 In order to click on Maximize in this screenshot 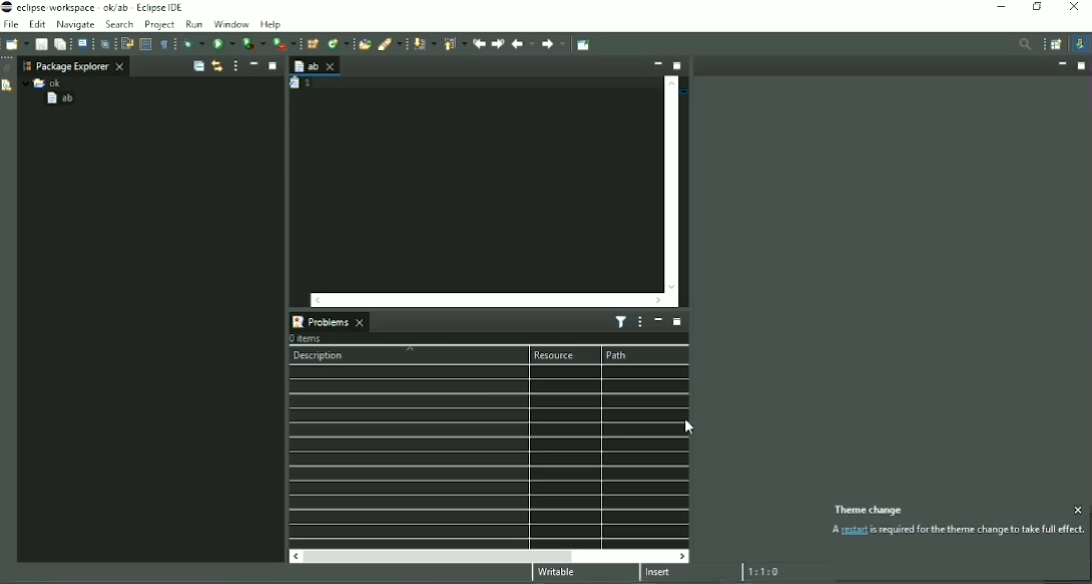, I will do `click(677, 322)`.